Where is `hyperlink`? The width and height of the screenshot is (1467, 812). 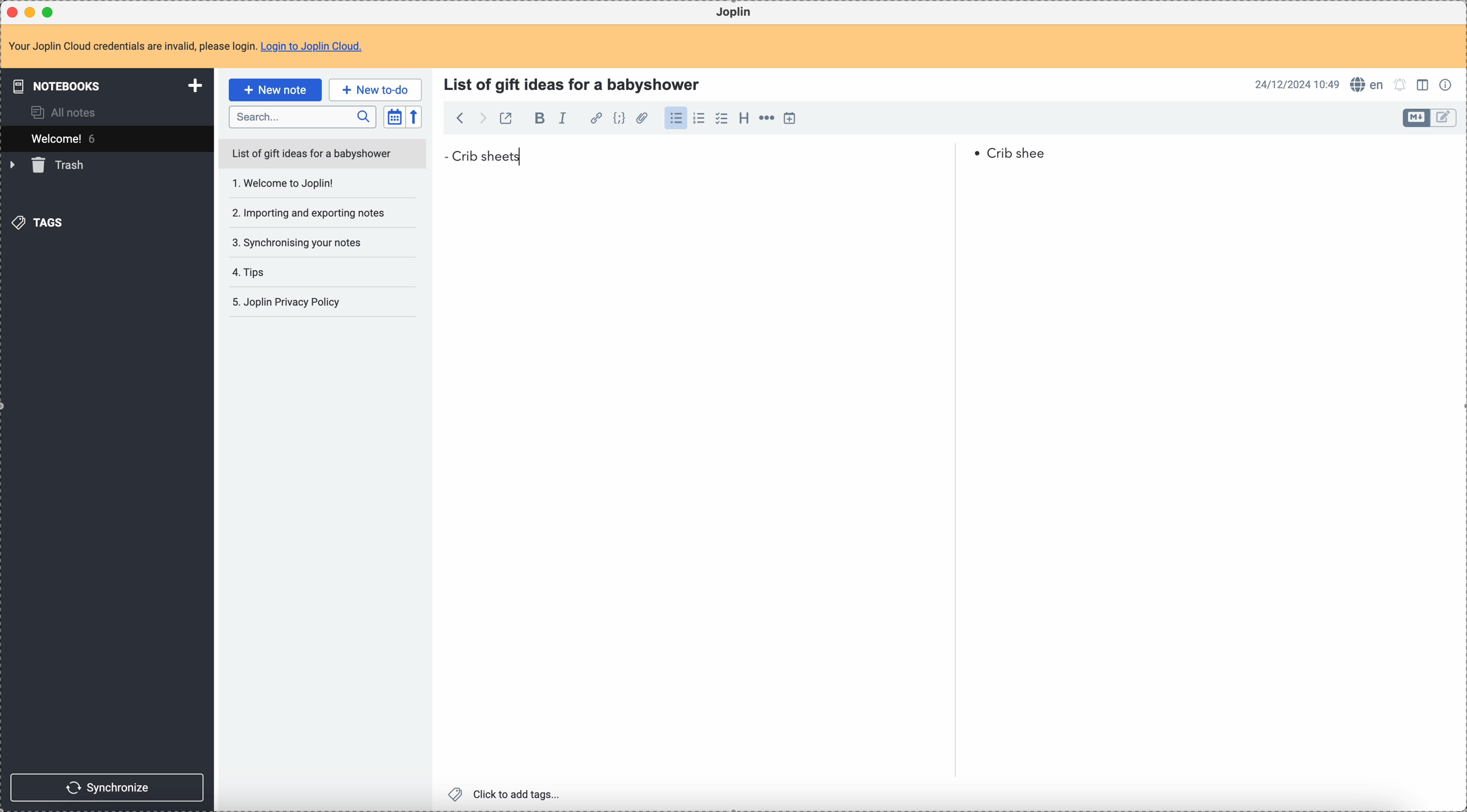 hyperlink is located at coordinates (596, 119).